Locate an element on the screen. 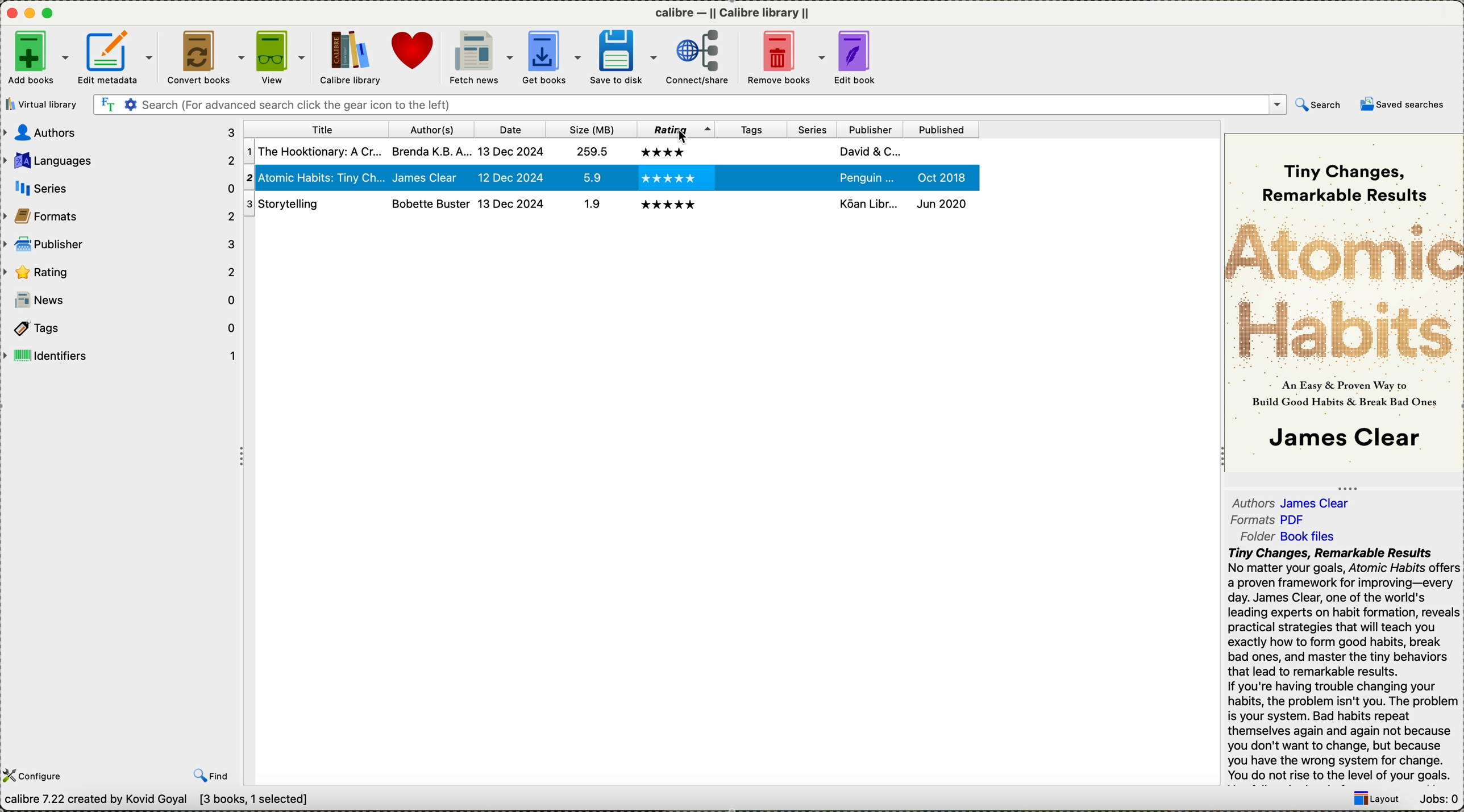 The image size is (1464, 812). saved searches is located at coordinates (1406, 105).